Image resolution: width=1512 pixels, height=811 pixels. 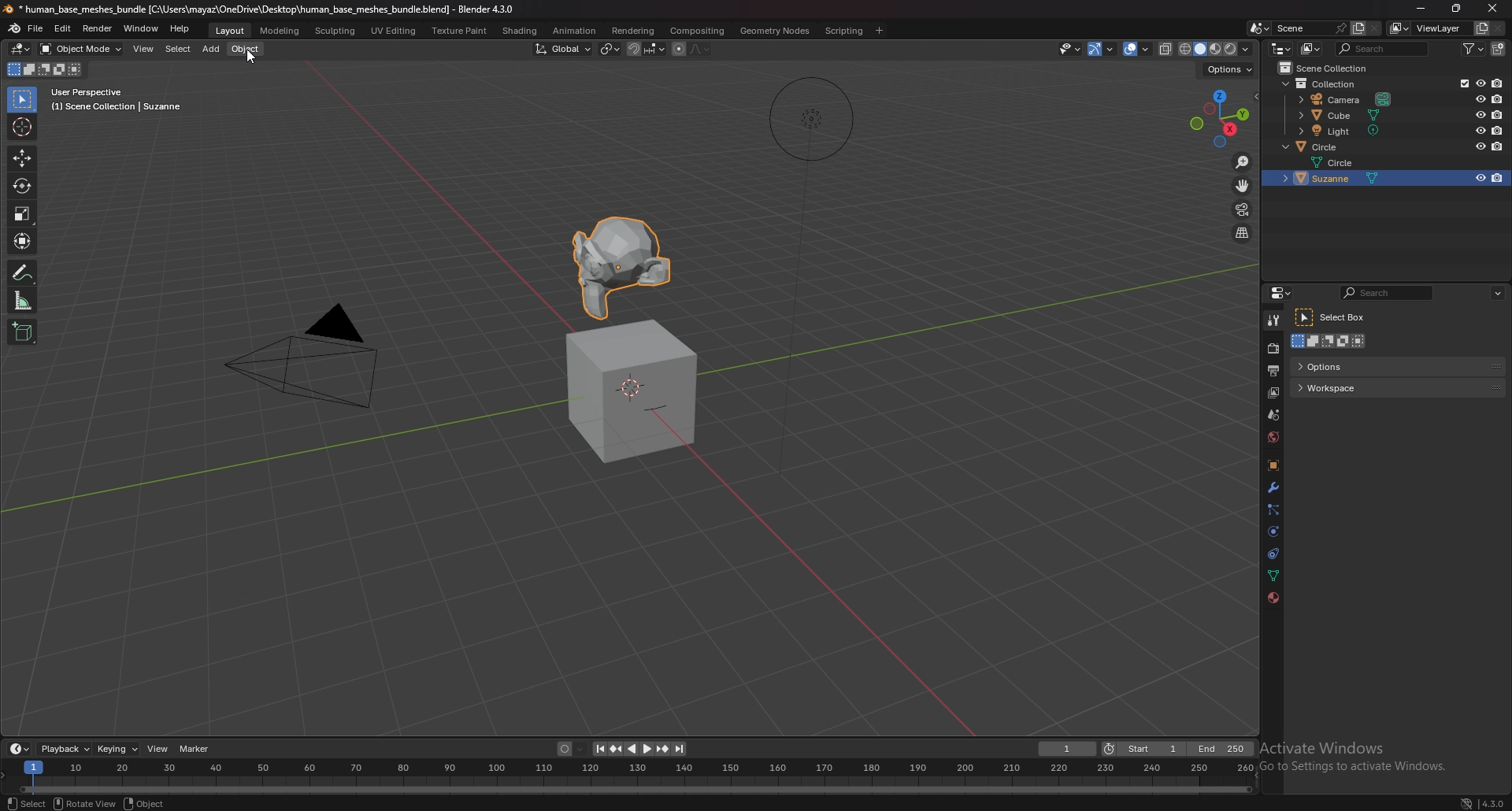 I want to click on transform pivot point, so click(x=610, y=50).